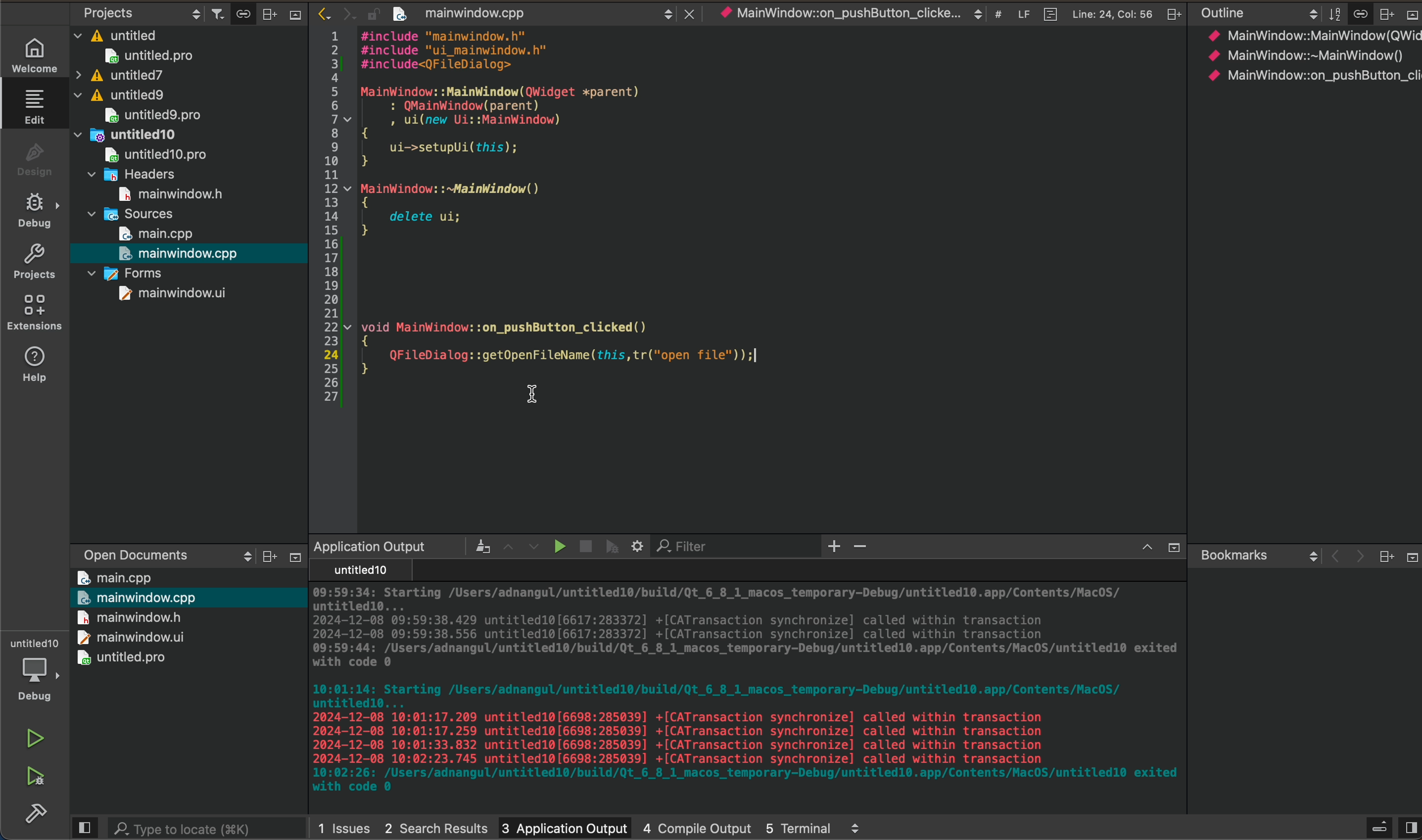 Image resolution: width=1422 pixels, height=840 pixels. Describe the element at coordinates (117, 33) in the screenshot. I see `untitled` at that location.